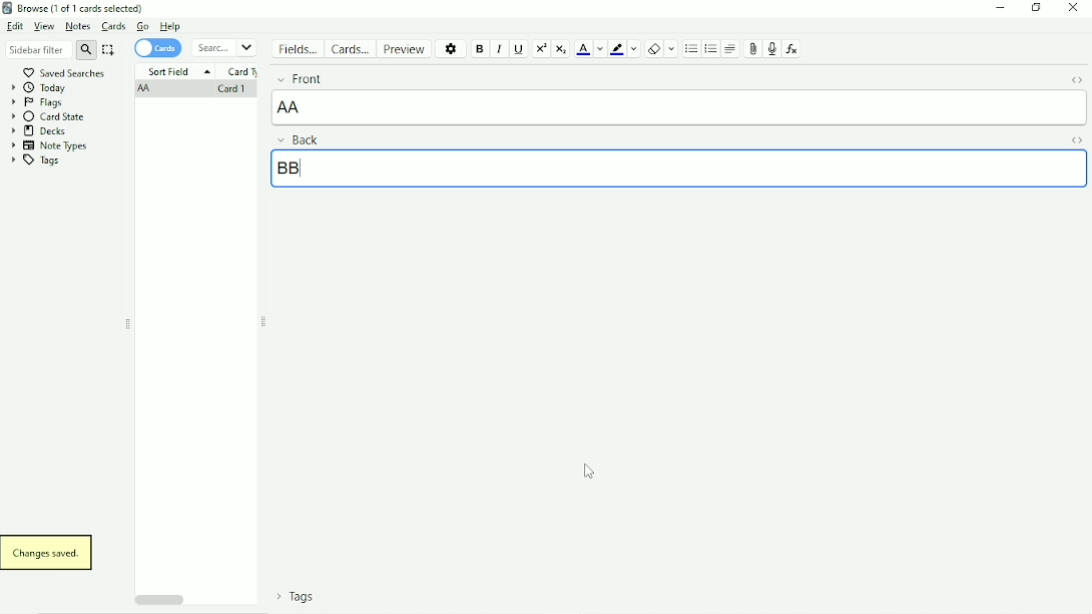 This screenshot has width=1092, height=614. Describe the element at coordinates (224, 48) in the screenshot. I see `Search` at that location.